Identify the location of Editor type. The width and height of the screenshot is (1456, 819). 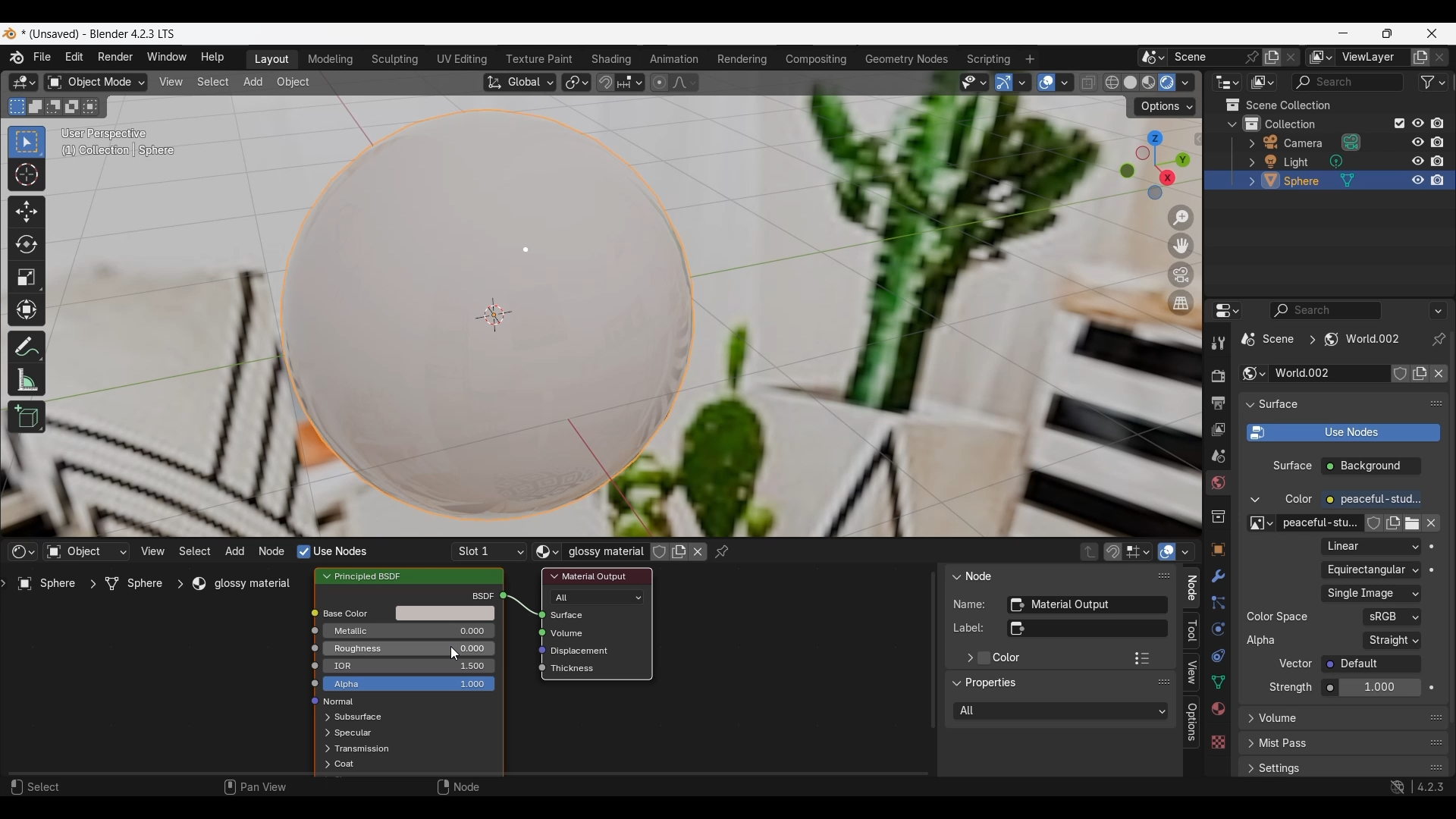
(23, 551).